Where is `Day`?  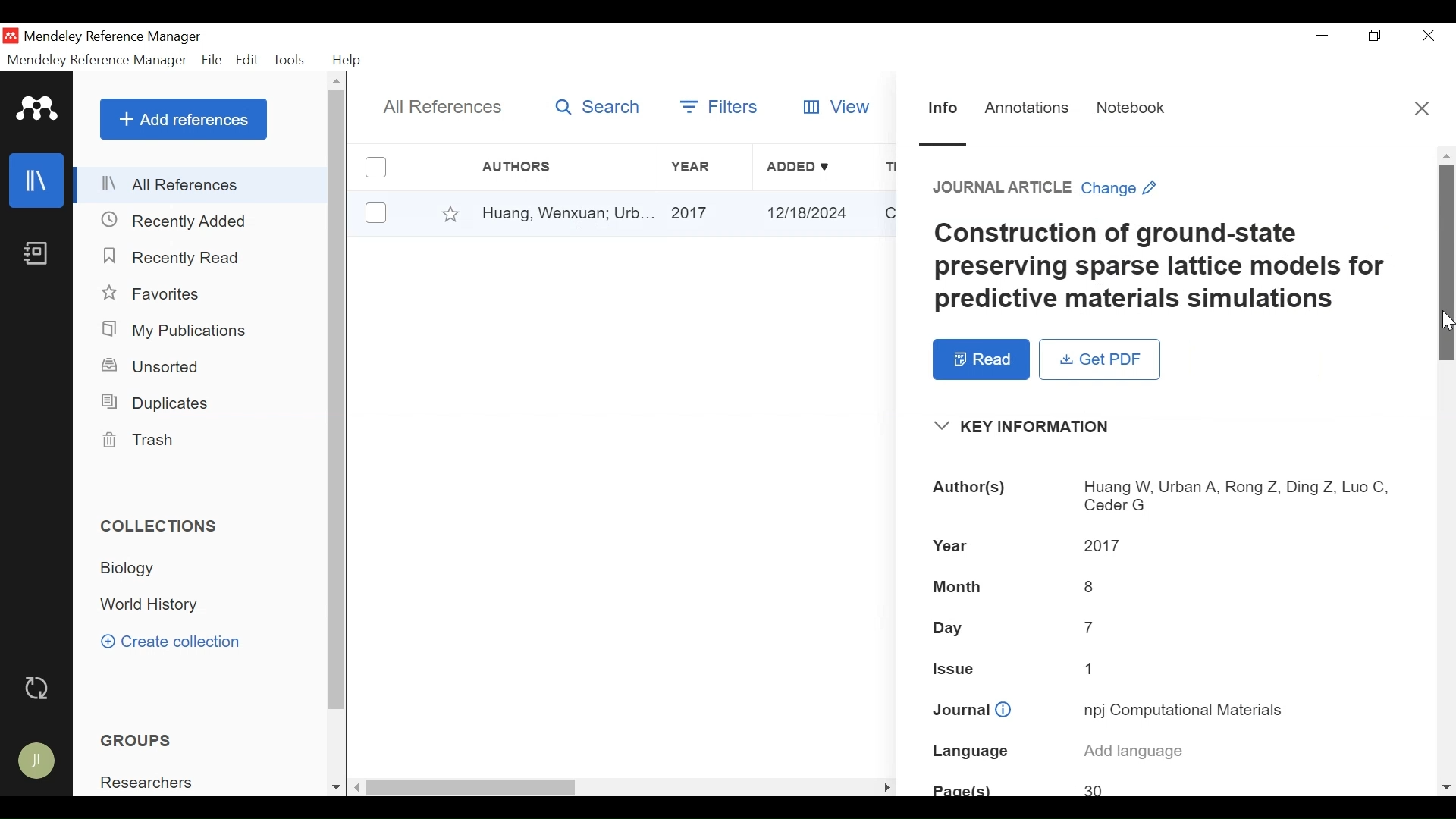 Day is located at coordinates (949, 628).